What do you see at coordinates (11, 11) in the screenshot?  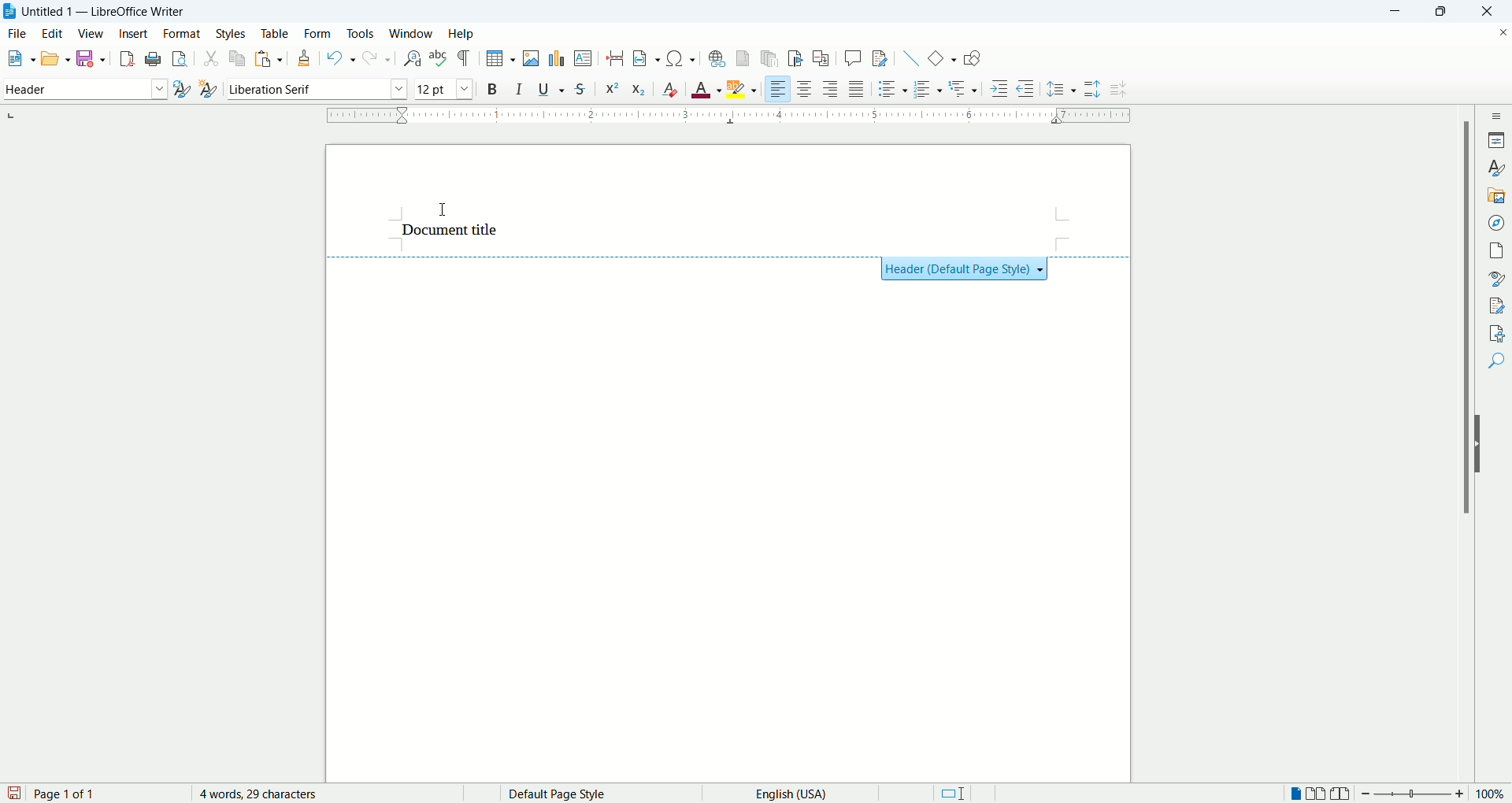 I see `application icon` at bounding box center [11, 11].